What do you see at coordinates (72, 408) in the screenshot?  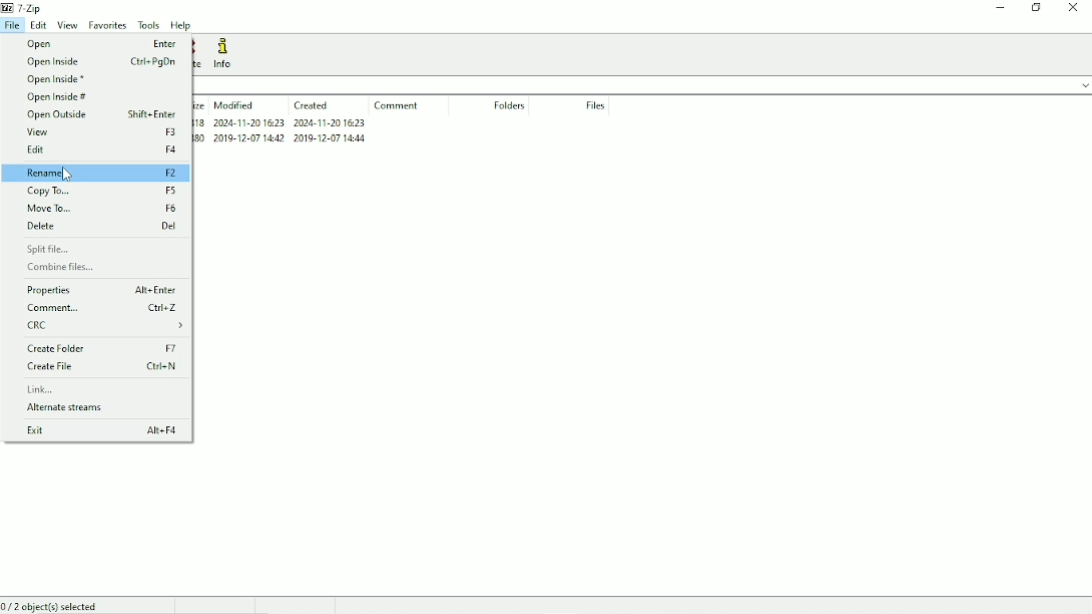 I see `Alternate streams` at bounding box center [72, 408].